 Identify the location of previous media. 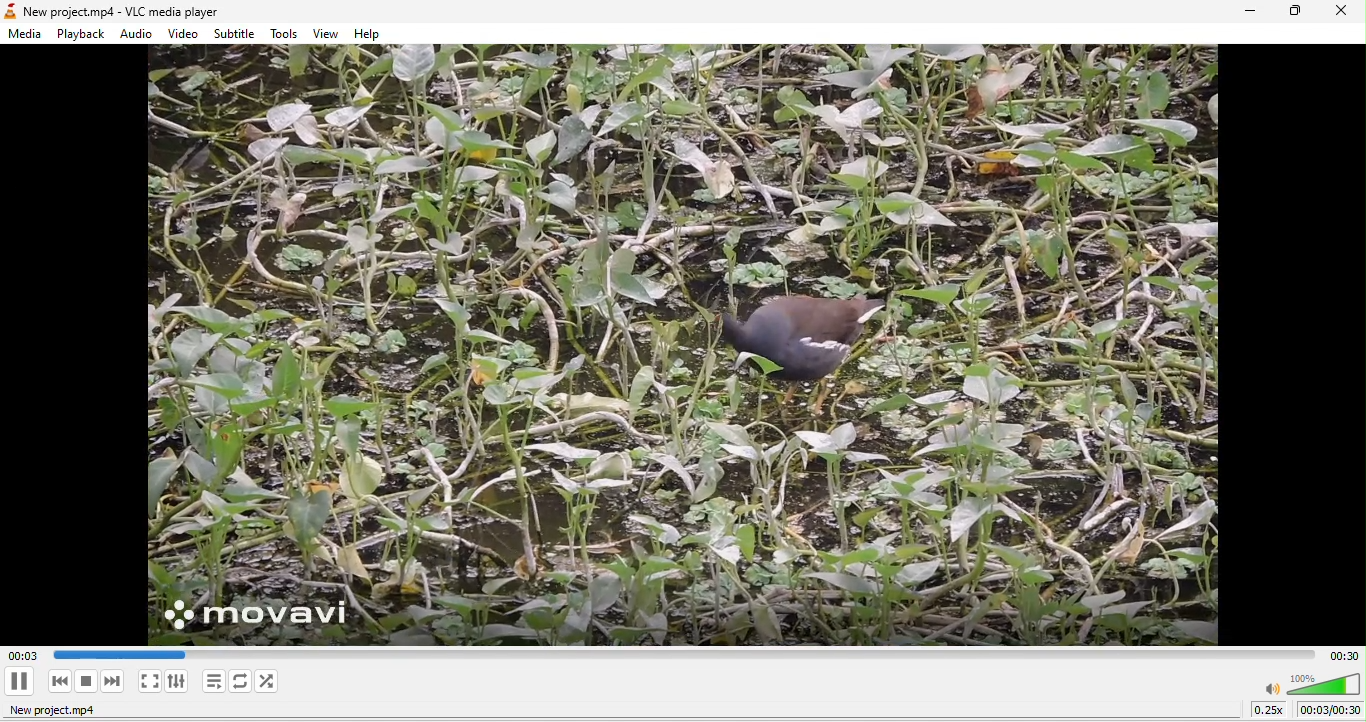
(54, 681).